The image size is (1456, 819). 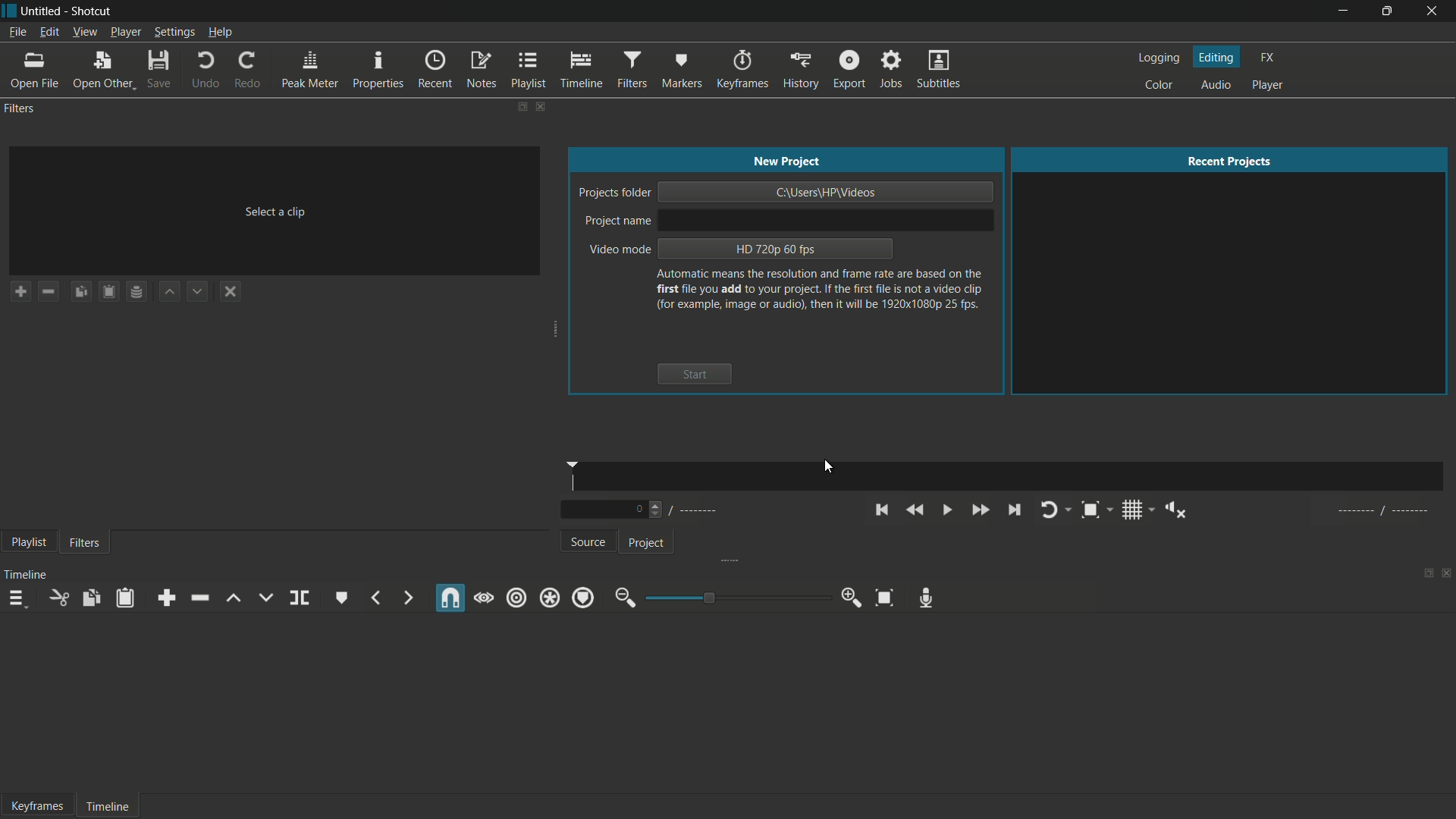 What do you see at coordinates (881, 510) in the screenshot?
I see `skip to the previous point` at bounding box center [881, 510].